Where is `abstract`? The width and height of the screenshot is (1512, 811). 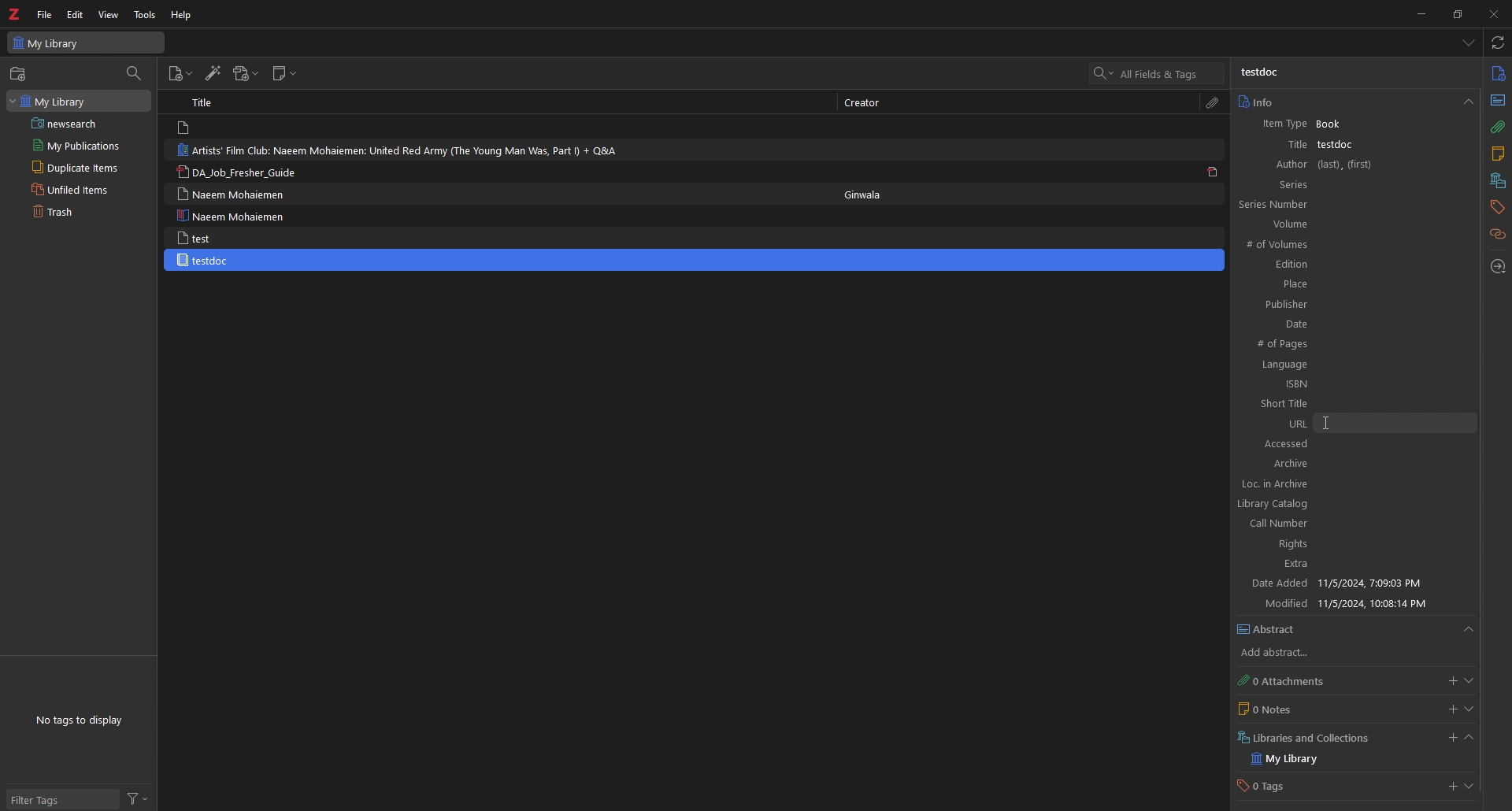 abstract is located at coordinates (1495, 101).